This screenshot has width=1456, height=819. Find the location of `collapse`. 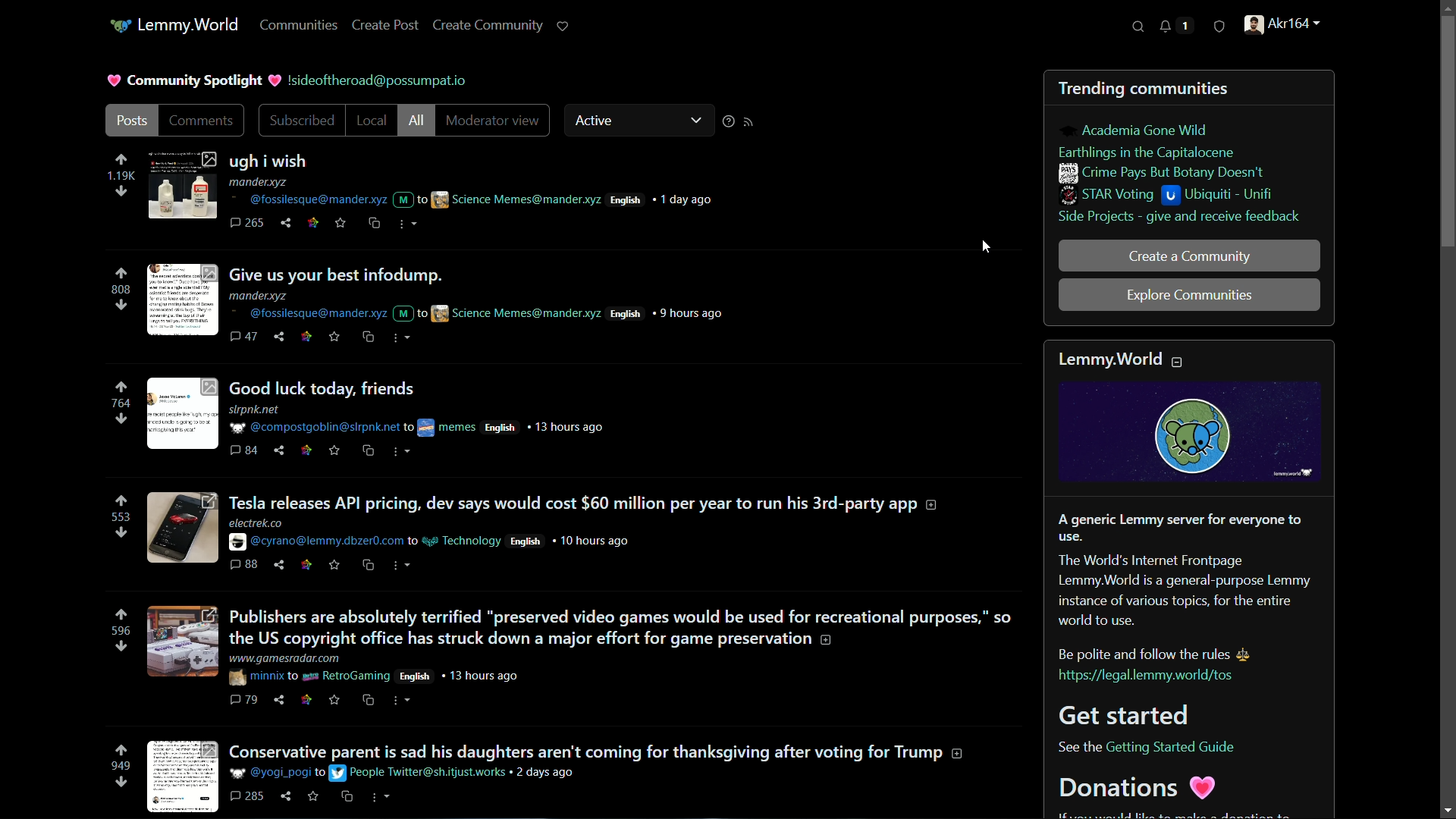

collapse is located at coordinates (1178, 361).